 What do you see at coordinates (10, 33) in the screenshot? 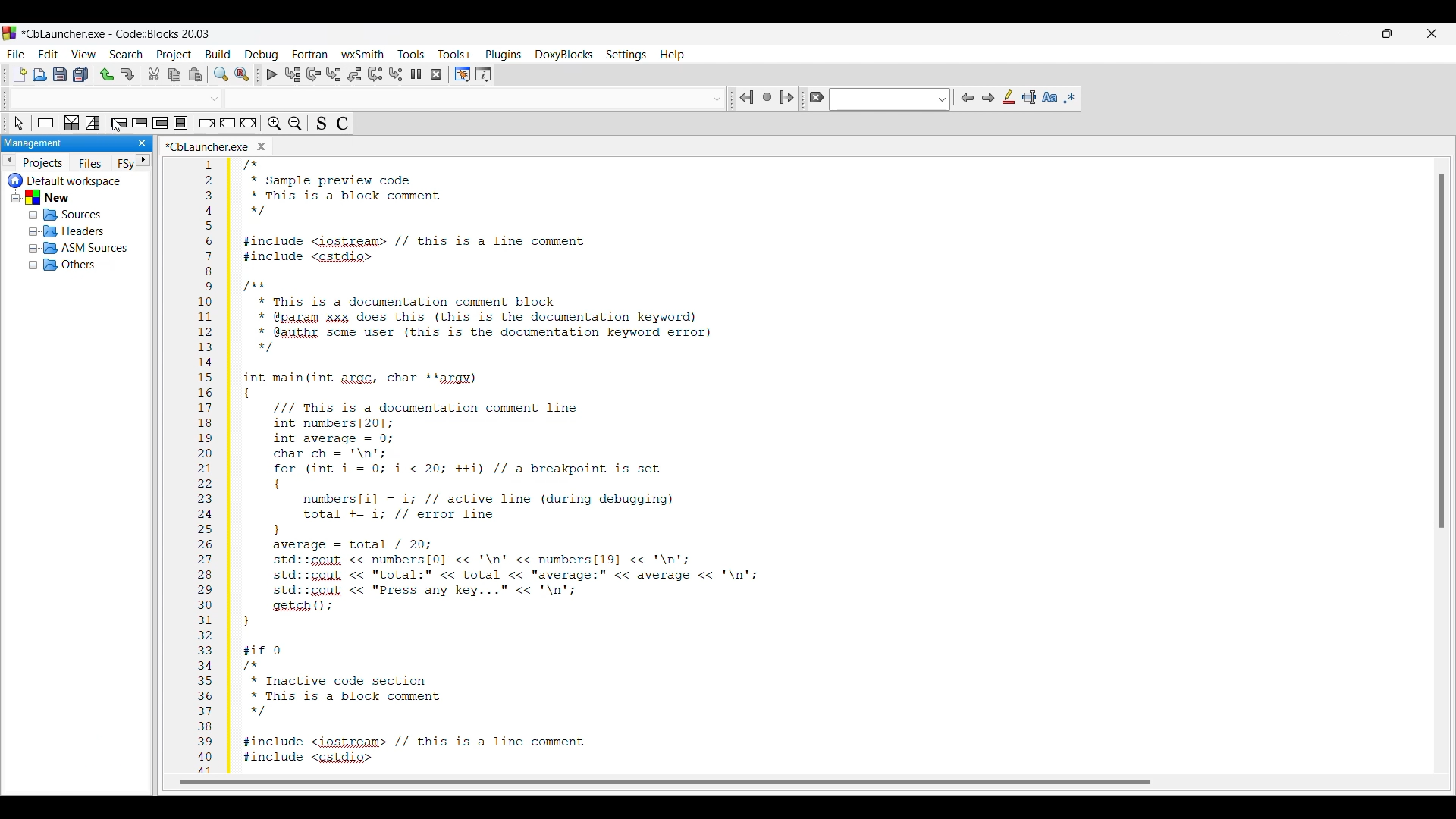
I see `Software logo` at bounding box center [10, 33].